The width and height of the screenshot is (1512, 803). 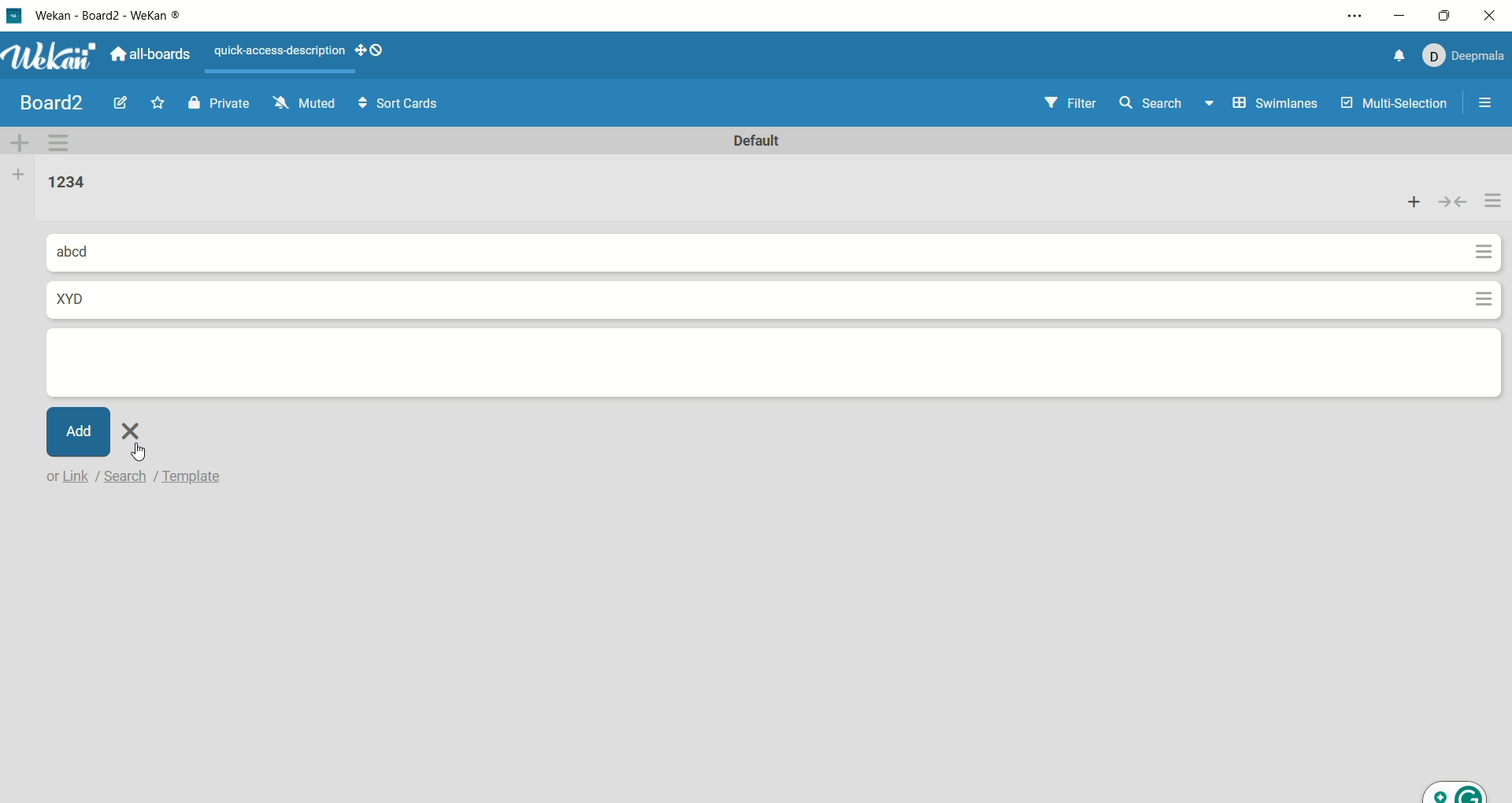 I want to click on filter, so click(x=1060, y=100).